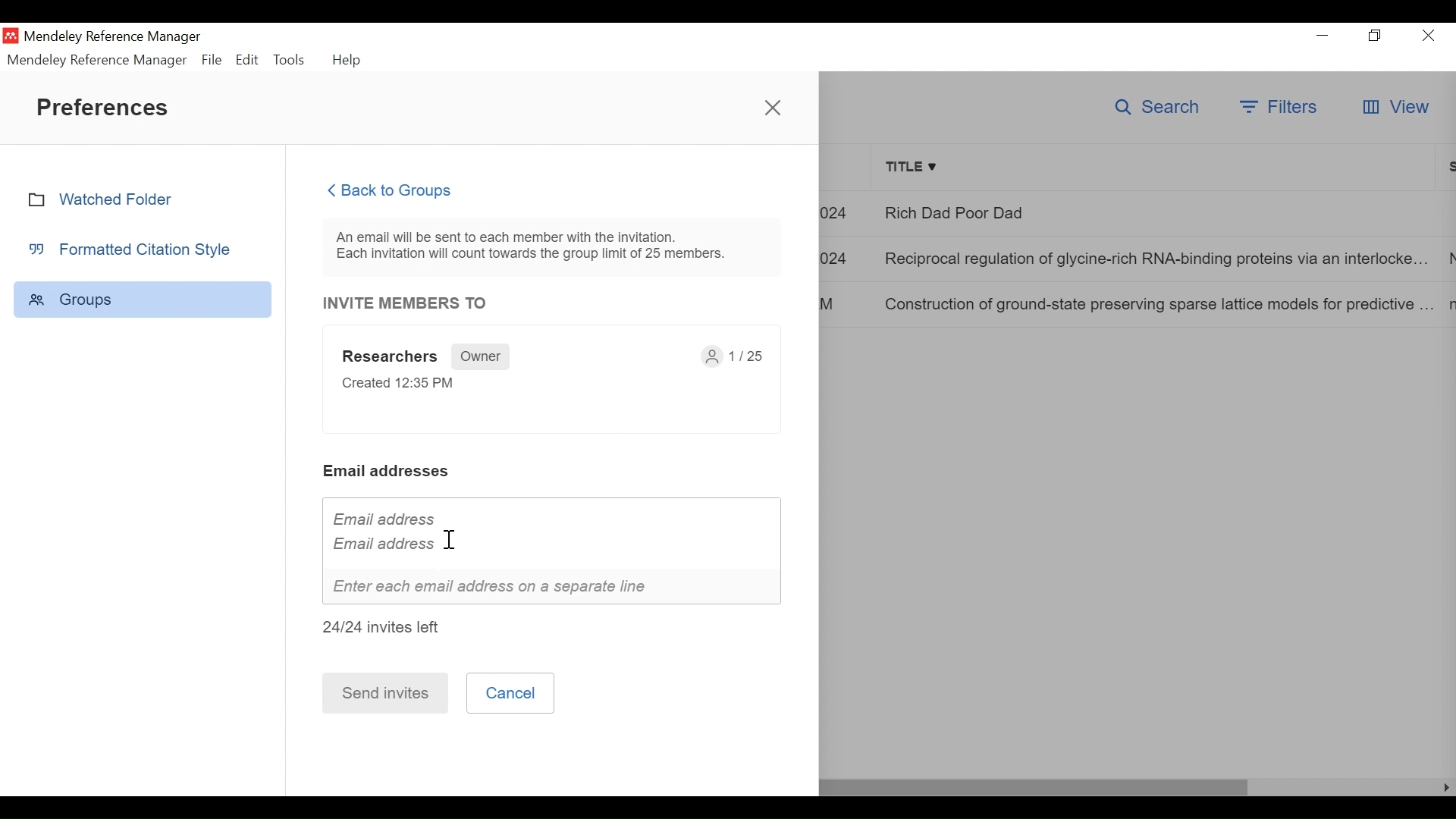 This screenshot has width=1456, height=819. Describe the element at coordinates (1154, 108) in the screenshot. I see `Search` at that location.